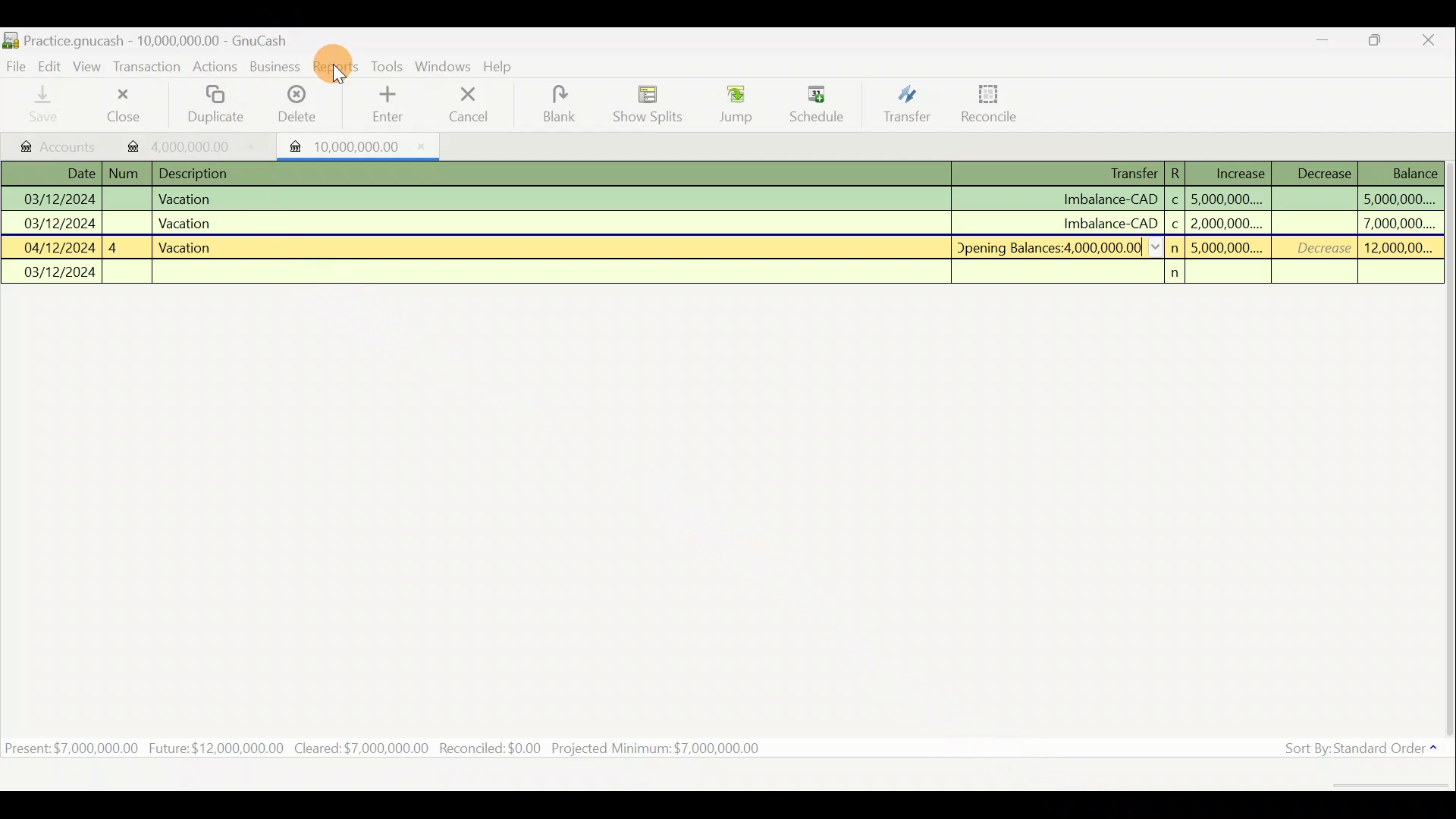 The height and width of the screenshot is (819, 1456). What do you see at coordinates (649, 103) in the screenshot?
I see `Show Splits` at bounding box center [649, 103].